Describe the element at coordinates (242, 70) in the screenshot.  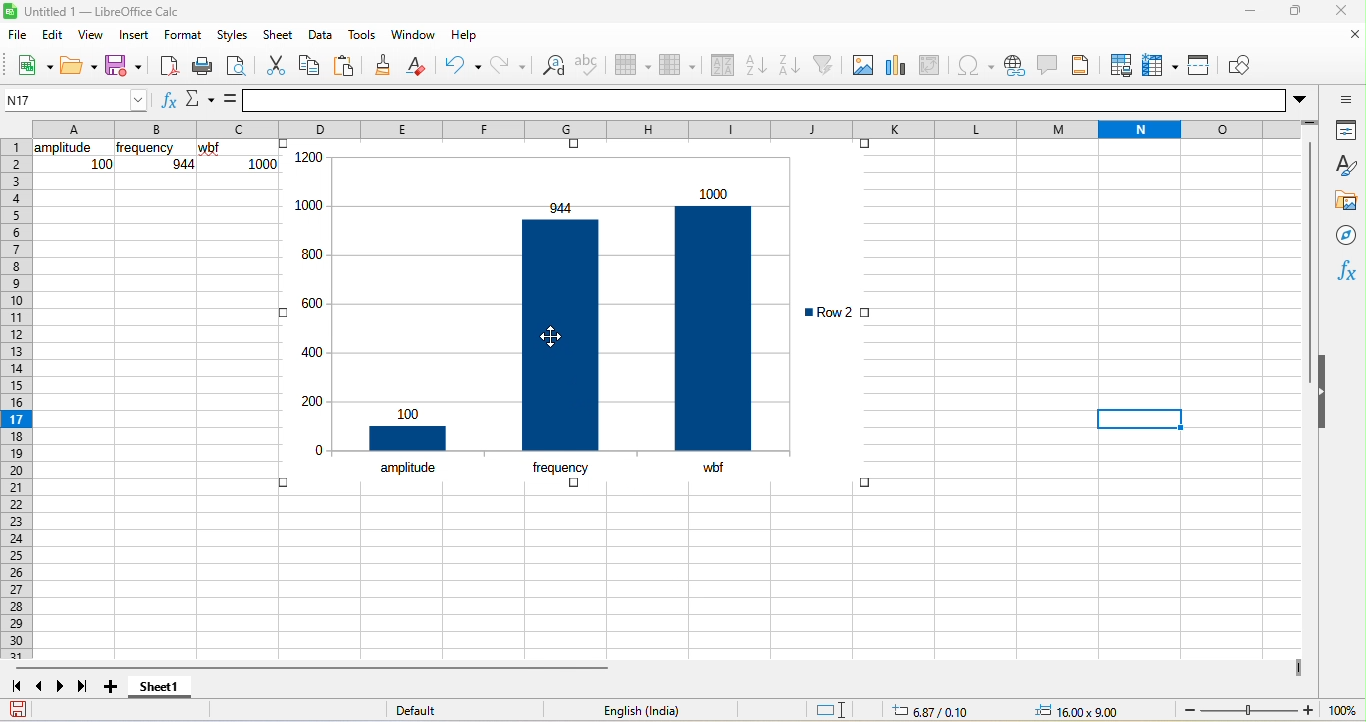
I see `print preview` at that location.